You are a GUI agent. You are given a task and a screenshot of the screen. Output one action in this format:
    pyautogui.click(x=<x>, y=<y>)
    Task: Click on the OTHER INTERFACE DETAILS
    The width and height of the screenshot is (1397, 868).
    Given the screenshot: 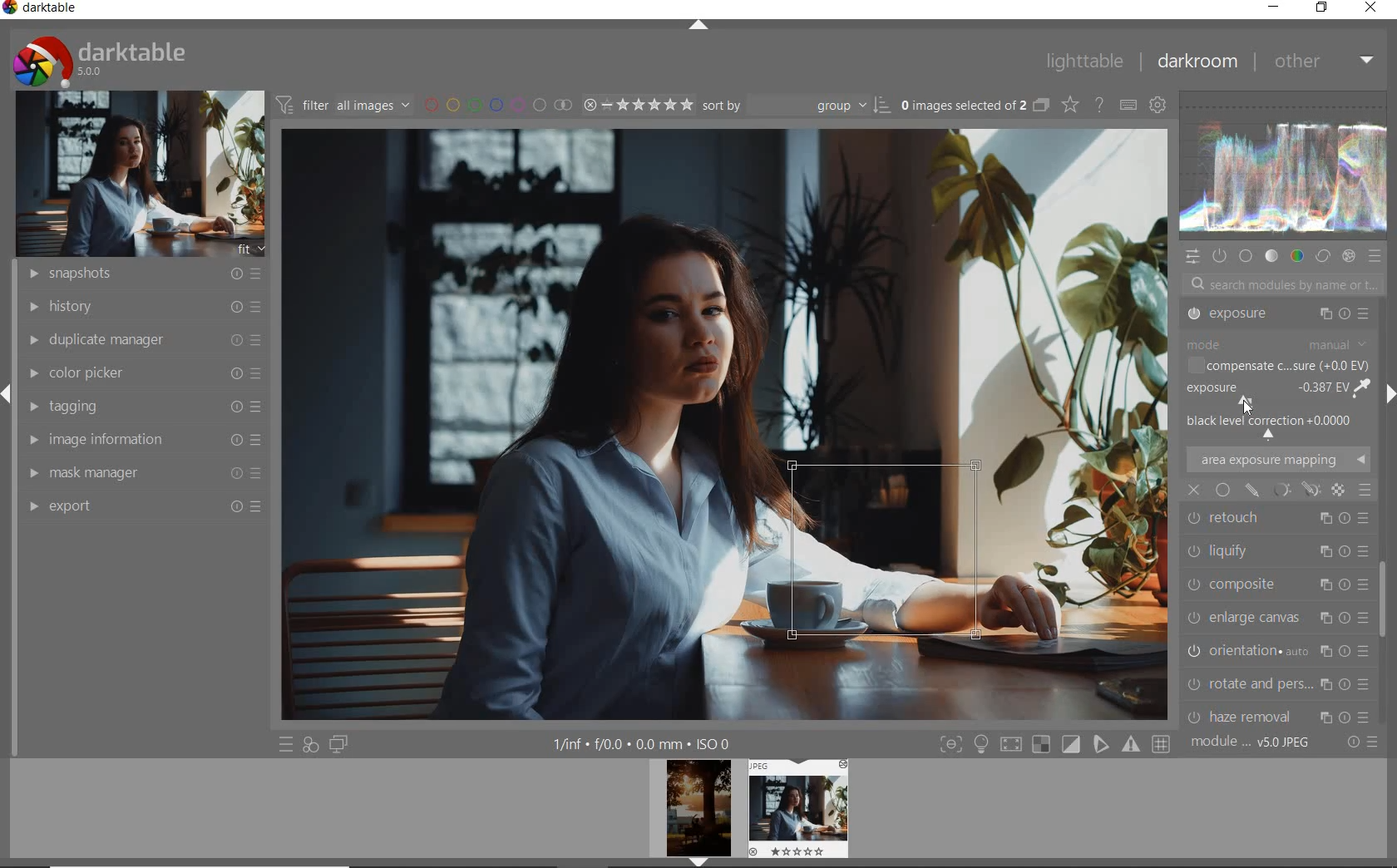 What is the action you would take?
    pyautogui.click(x=643, y=744)
    